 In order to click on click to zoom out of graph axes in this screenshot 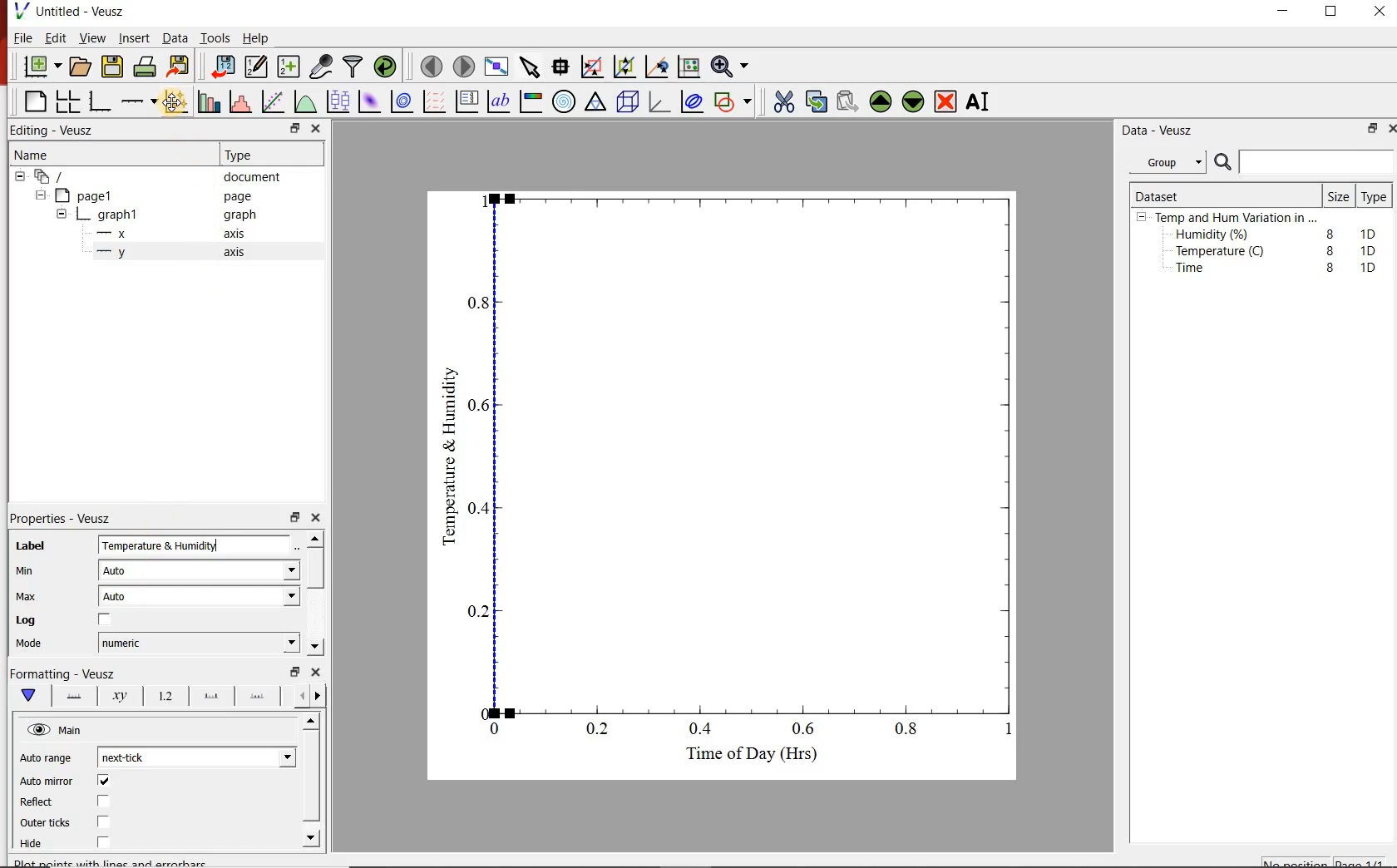, I will do `click(625, 68)`.